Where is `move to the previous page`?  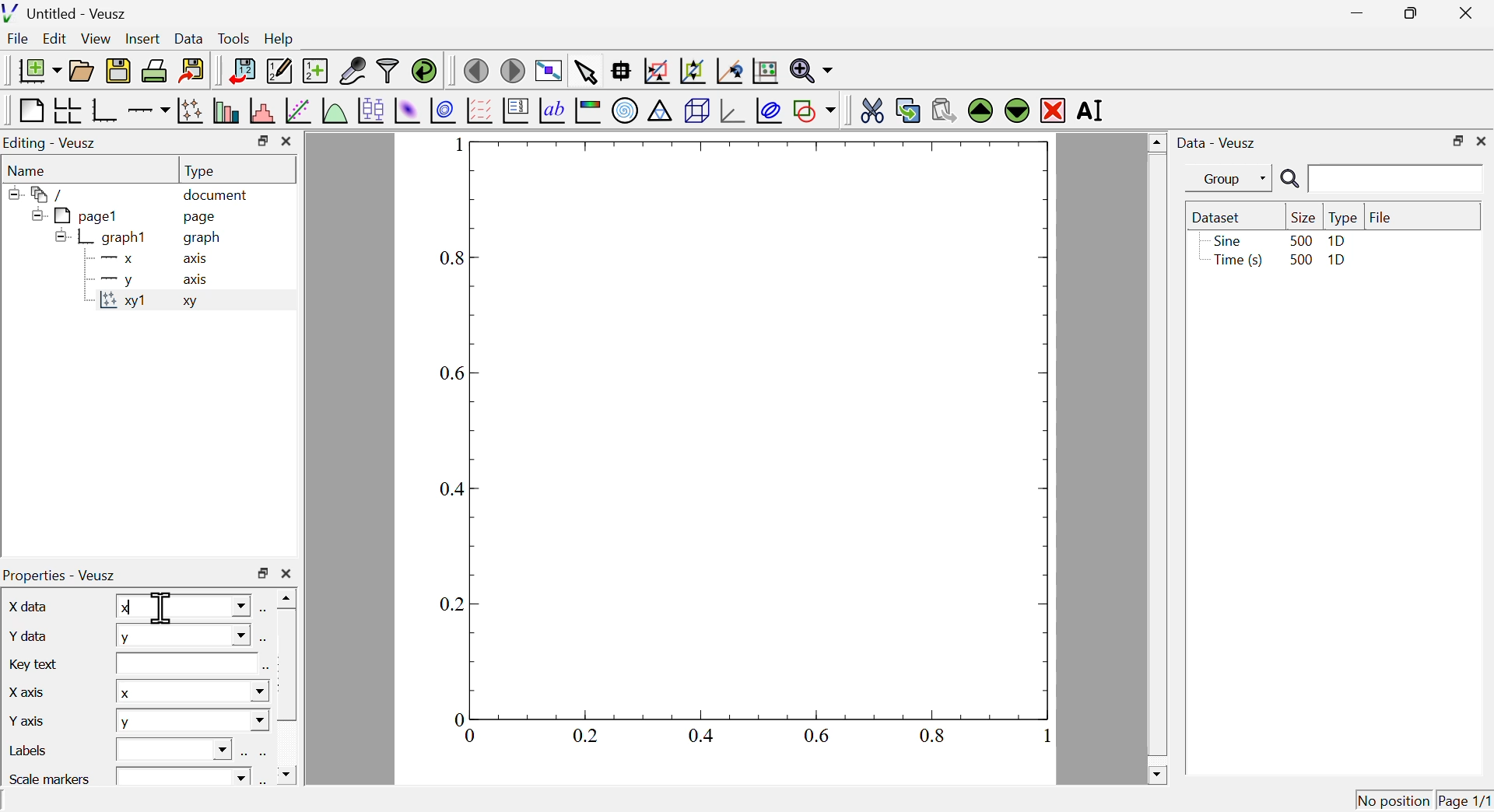 move to the previous page is located at coordinates (475, 69).